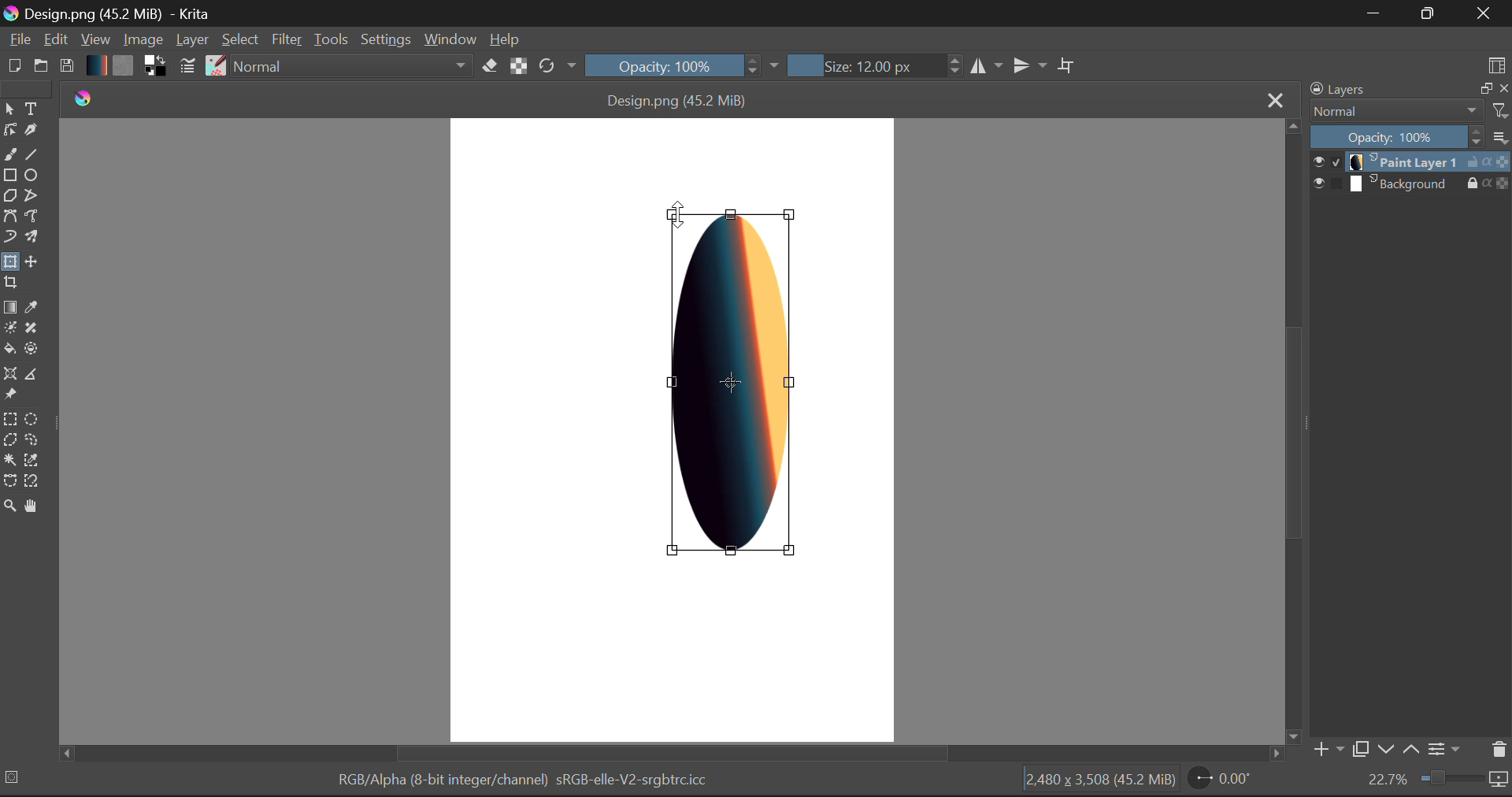 This screenshot has height=797, width=1512. I want to click on Opacity, so click(1412, 136).